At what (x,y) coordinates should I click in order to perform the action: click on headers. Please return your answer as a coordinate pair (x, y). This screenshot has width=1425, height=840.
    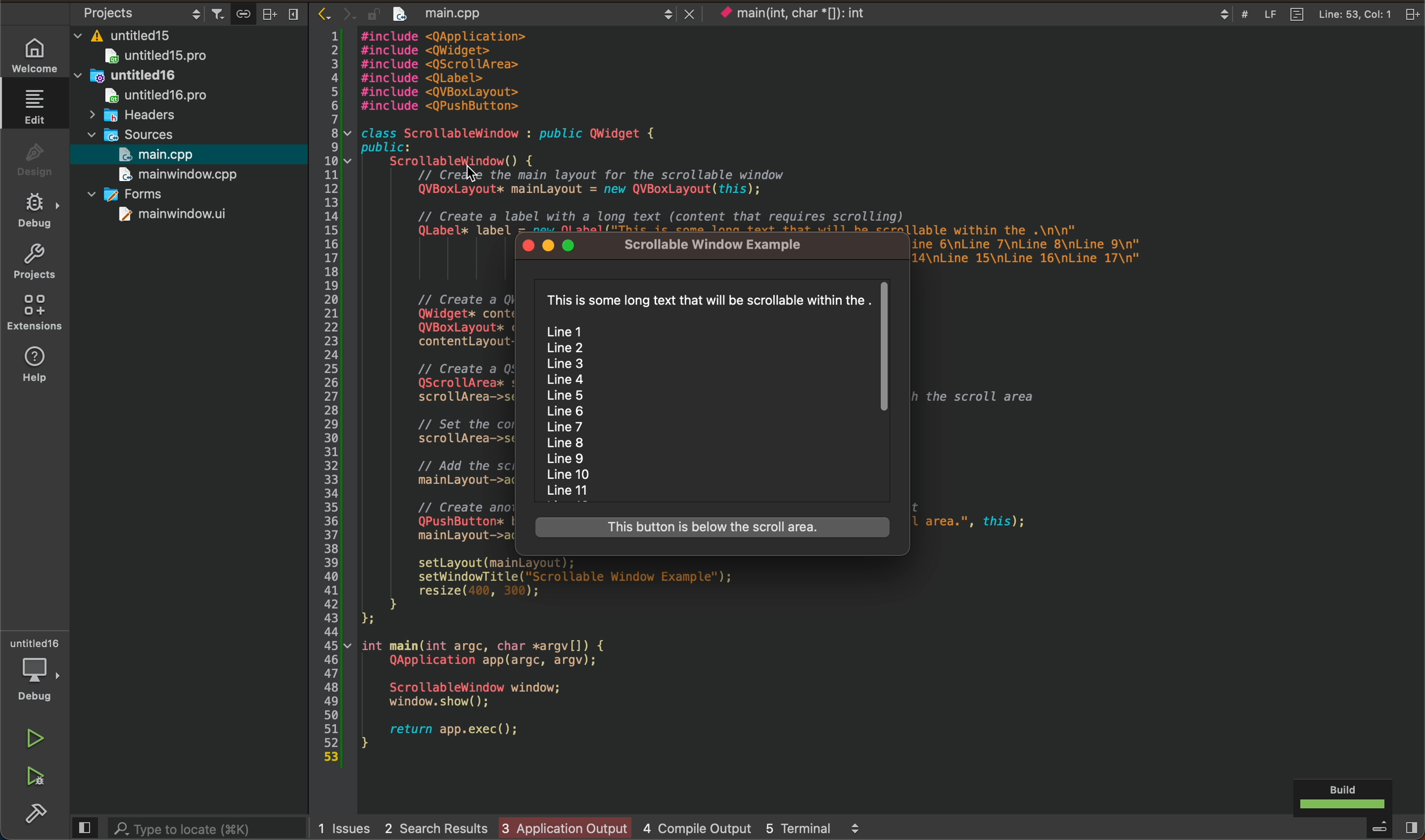
    Looking at the image, I should click on (131, 115).